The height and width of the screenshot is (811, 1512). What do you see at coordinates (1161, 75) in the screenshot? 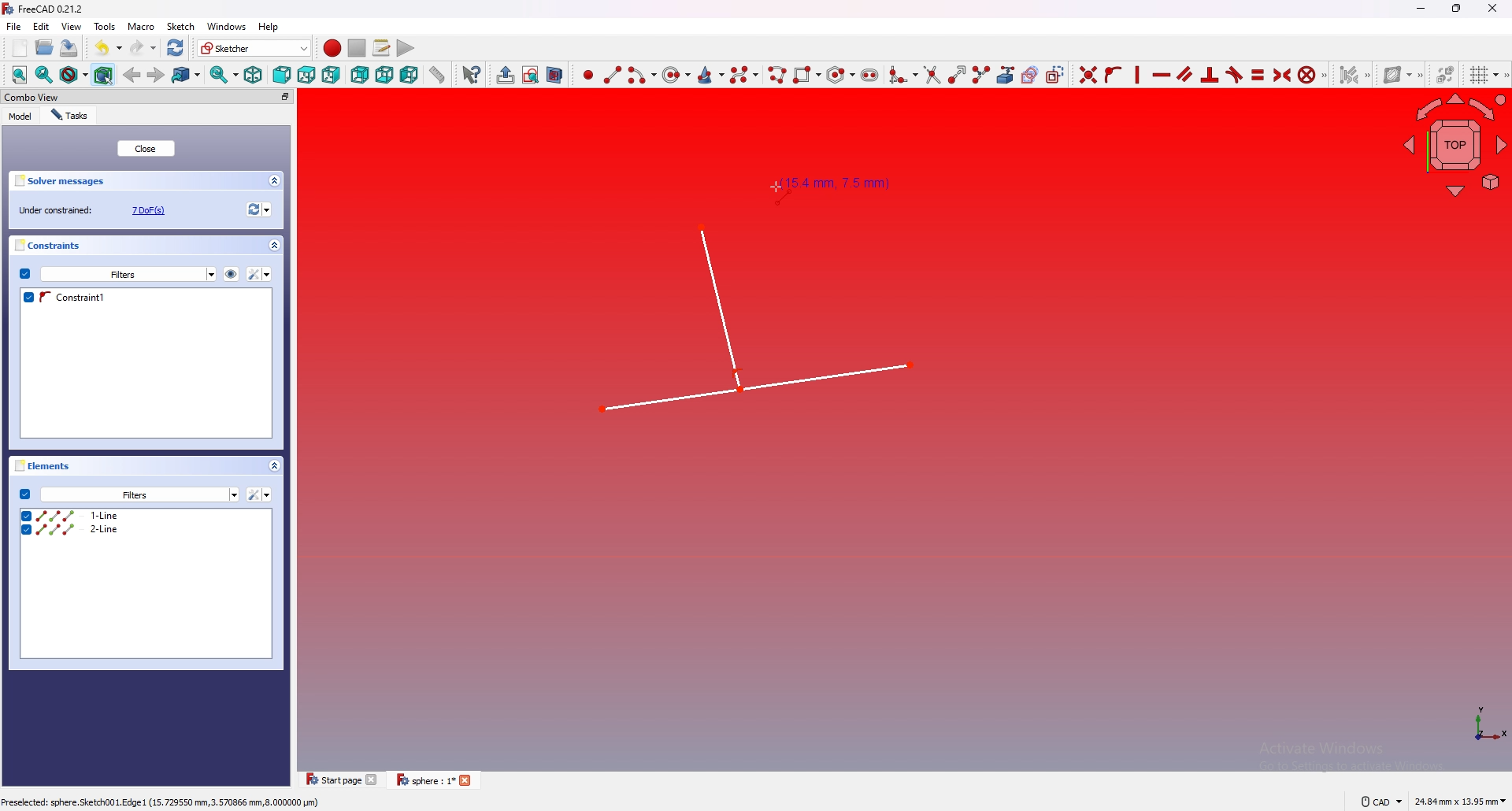
I see `Constrain horizontally` at bounding box center [1161, 75].